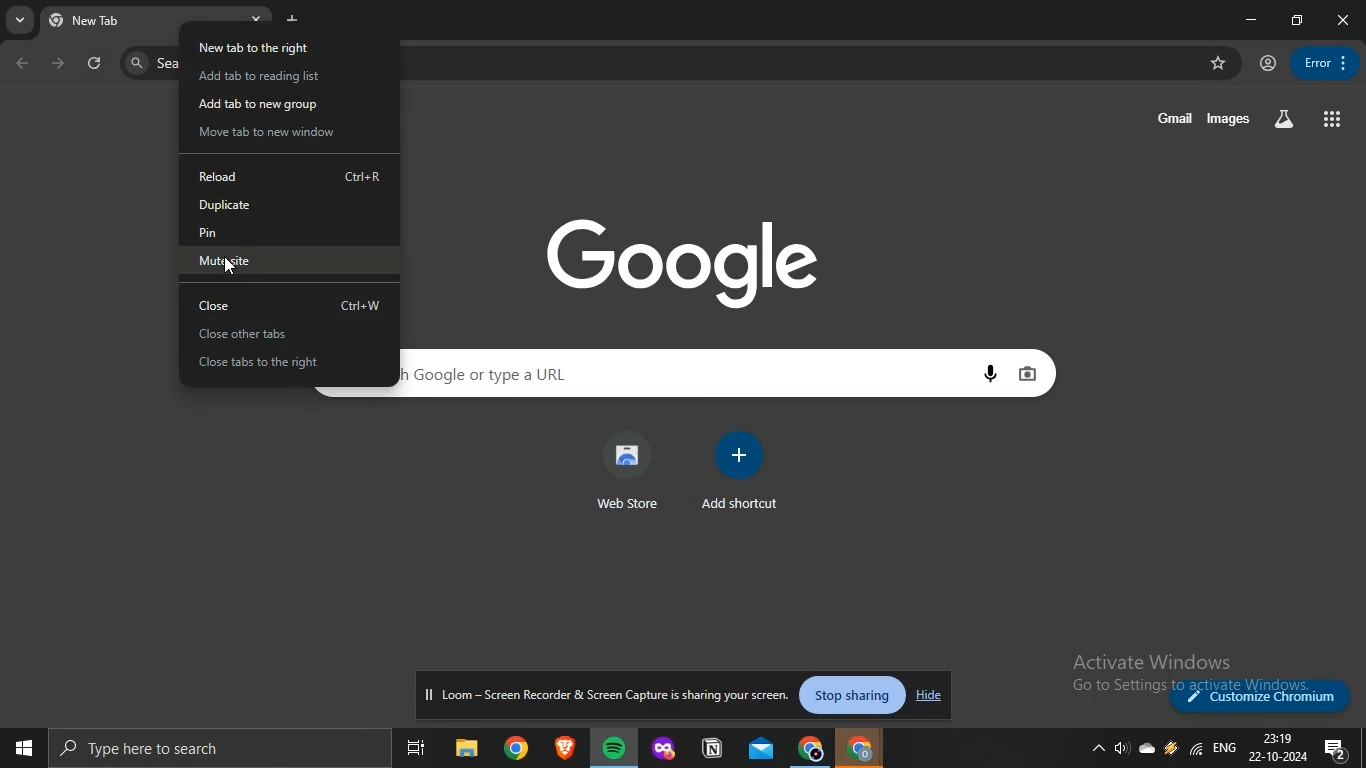 The image size is (1366, 768). What do you see at coordinates (1344, 20) in the screenshot?
I see `close` at bounding box center [1344, 20].